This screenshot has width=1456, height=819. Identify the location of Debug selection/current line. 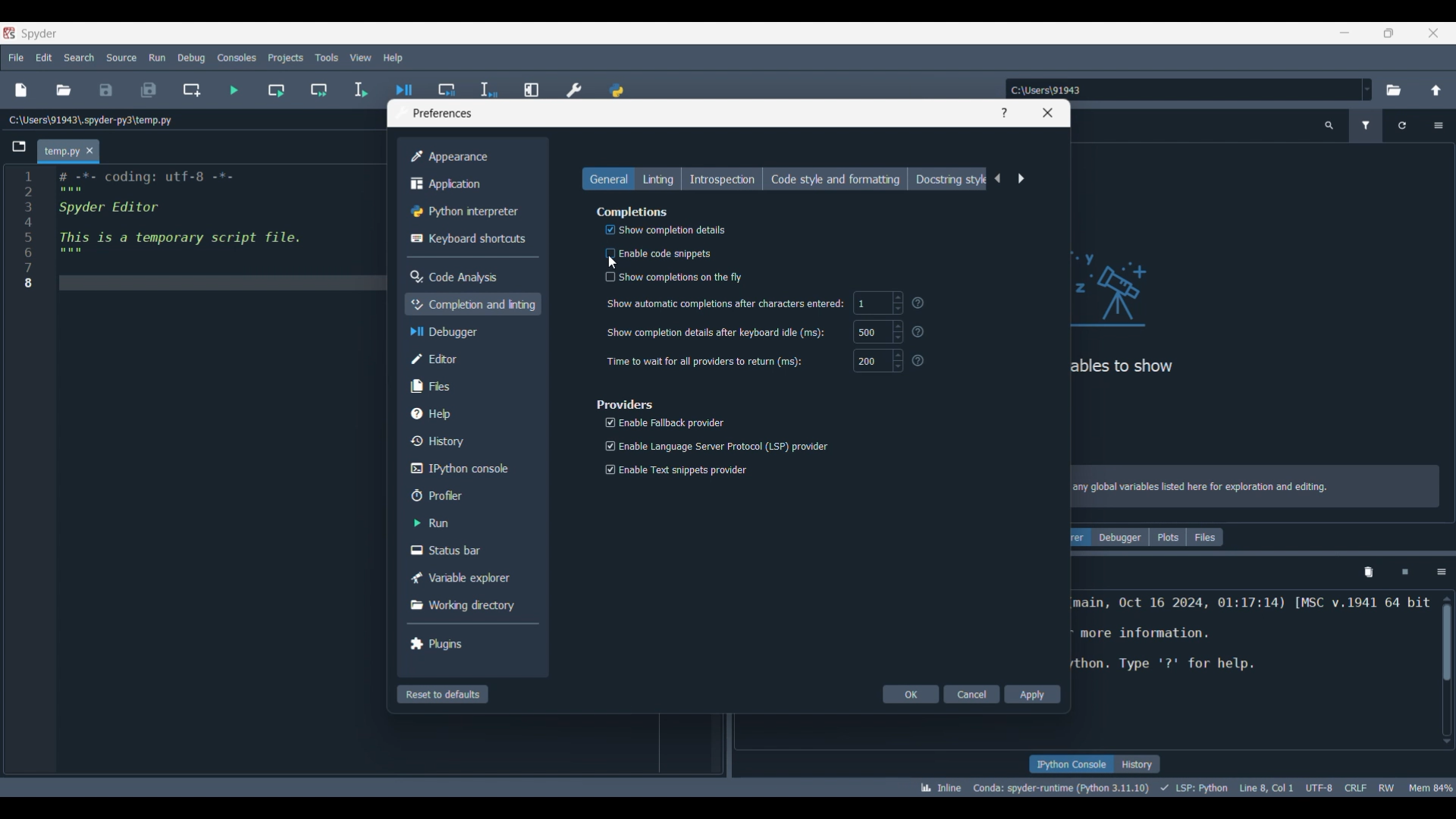
(488, 86).